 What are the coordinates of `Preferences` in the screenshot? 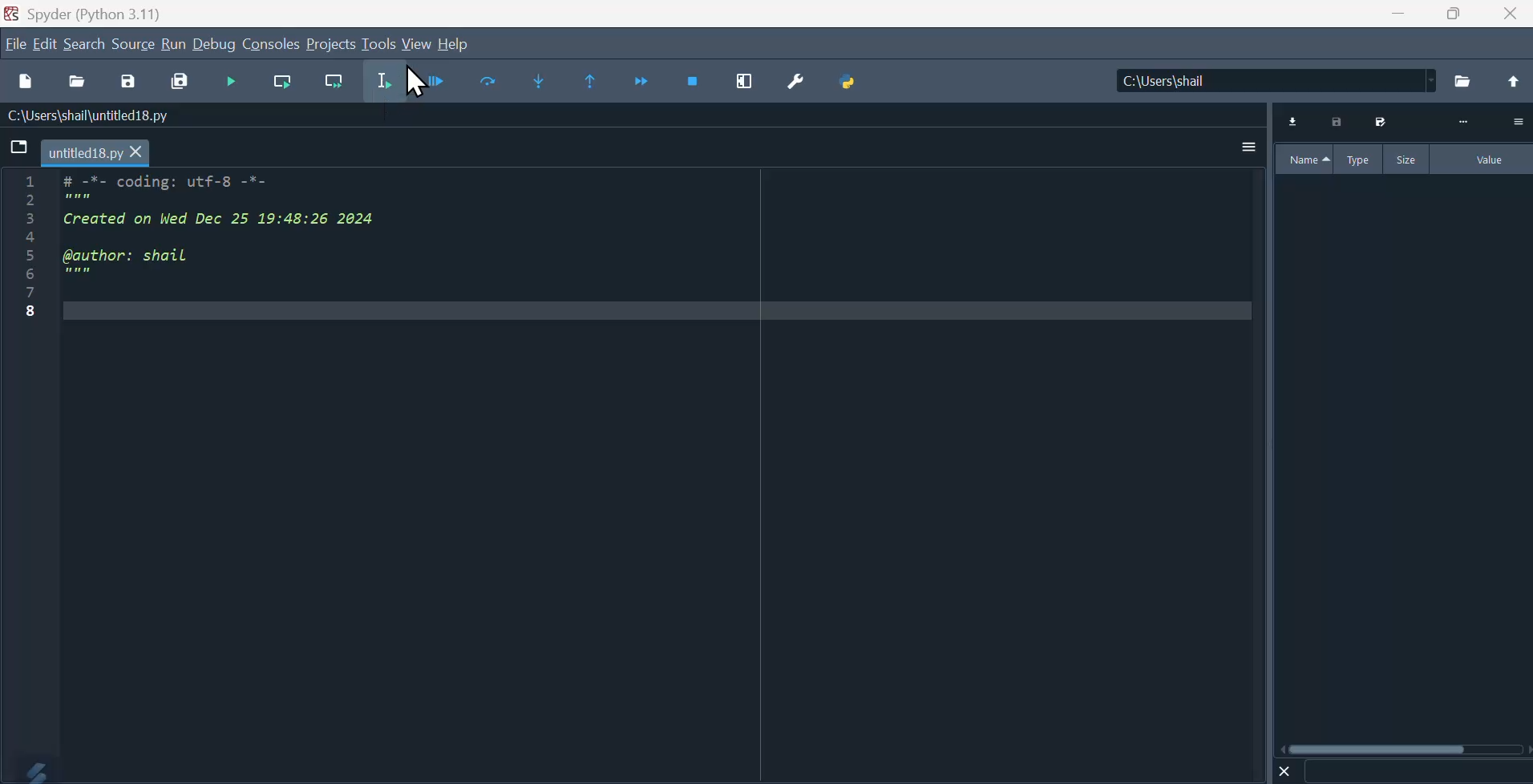 It's located at (793, 84).